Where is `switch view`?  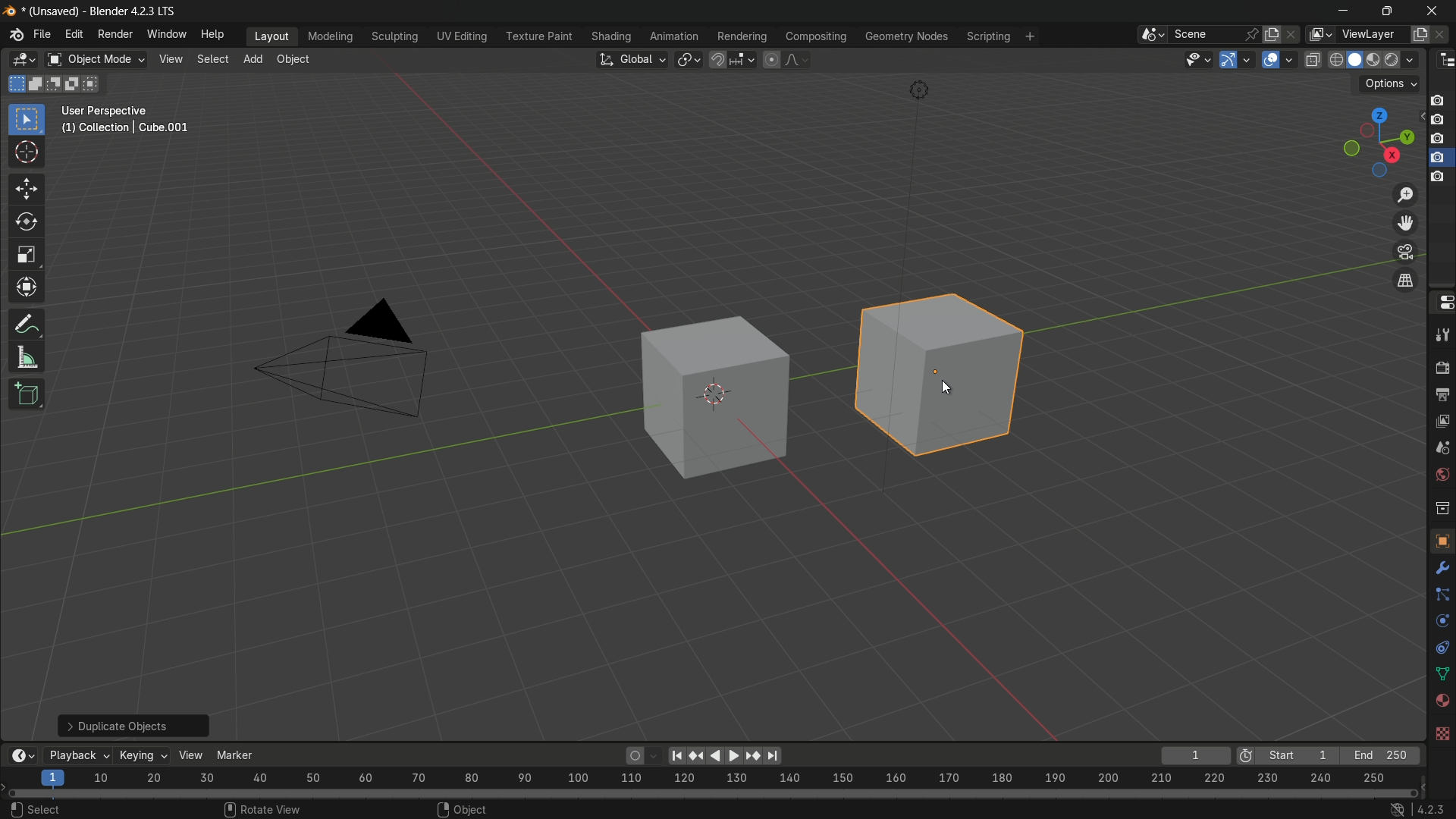 switch view is located at coordinates (1407, 280).